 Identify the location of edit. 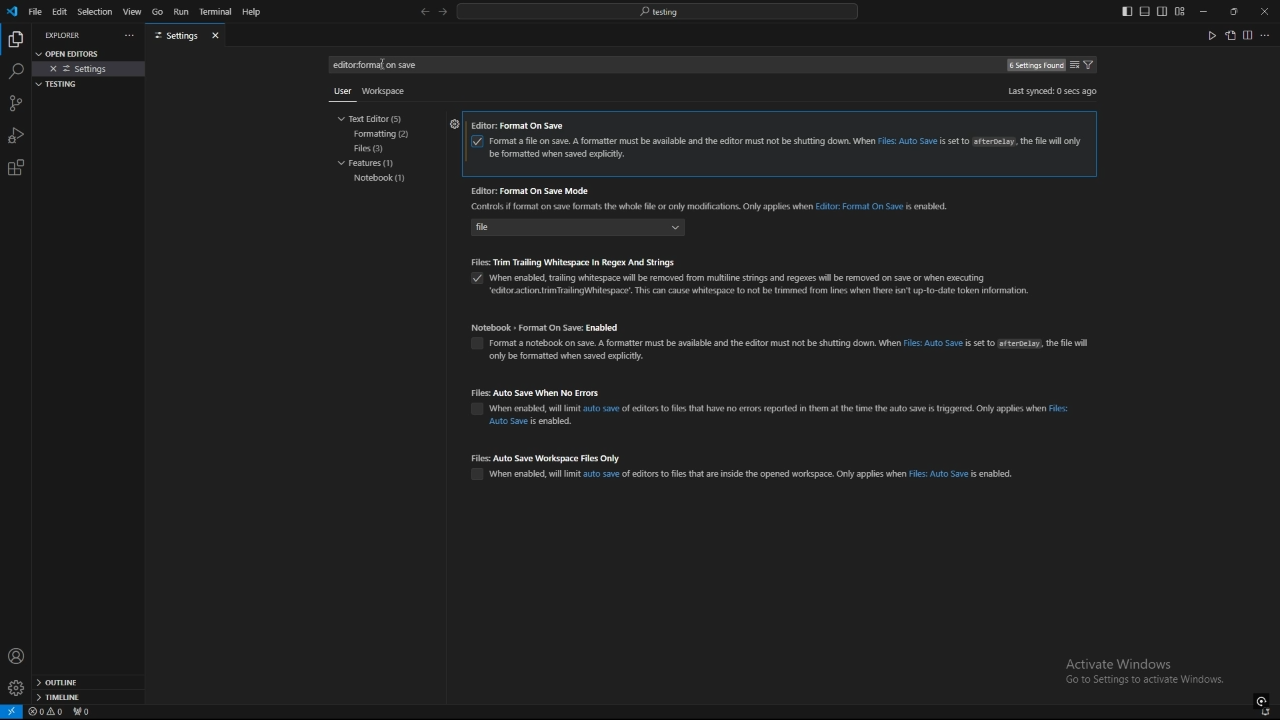
(60, 11).